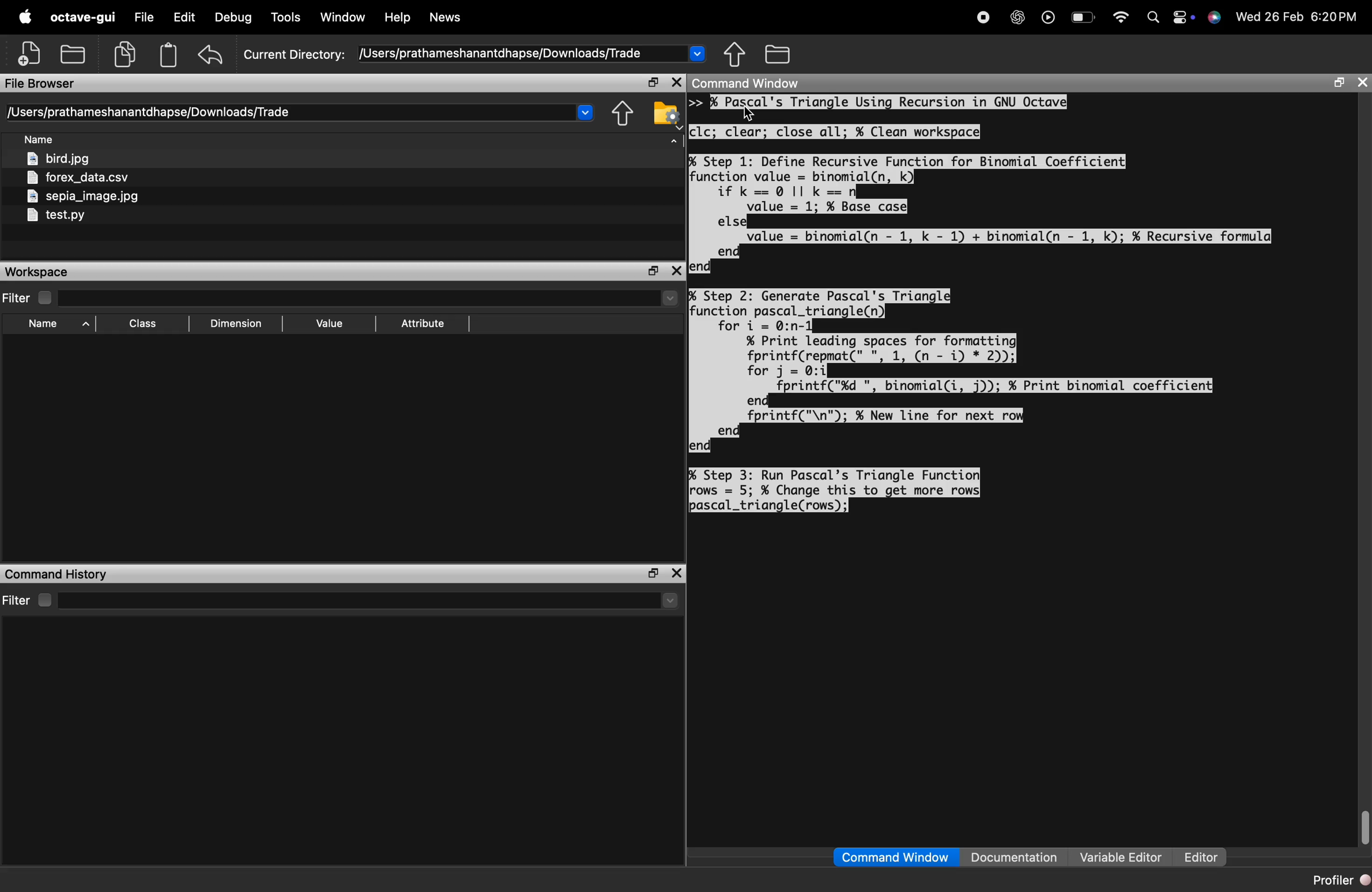 The height and width of the screenshot is (892, 1372). What do you see at coordinates (1339, 82) in the screenshot?
I see `maximize` at bounding box center [1339, 82].